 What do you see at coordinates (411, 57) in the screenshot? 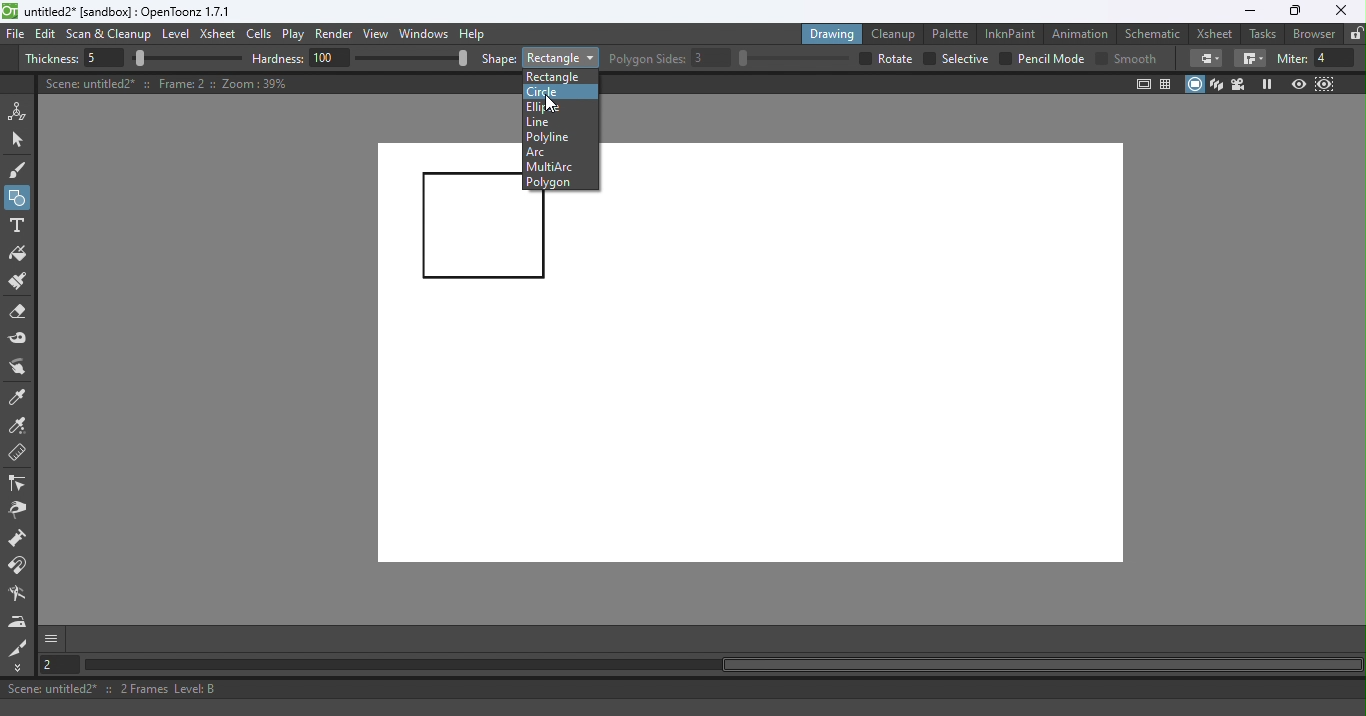
I see `slider` at bounding box center [411, 57].